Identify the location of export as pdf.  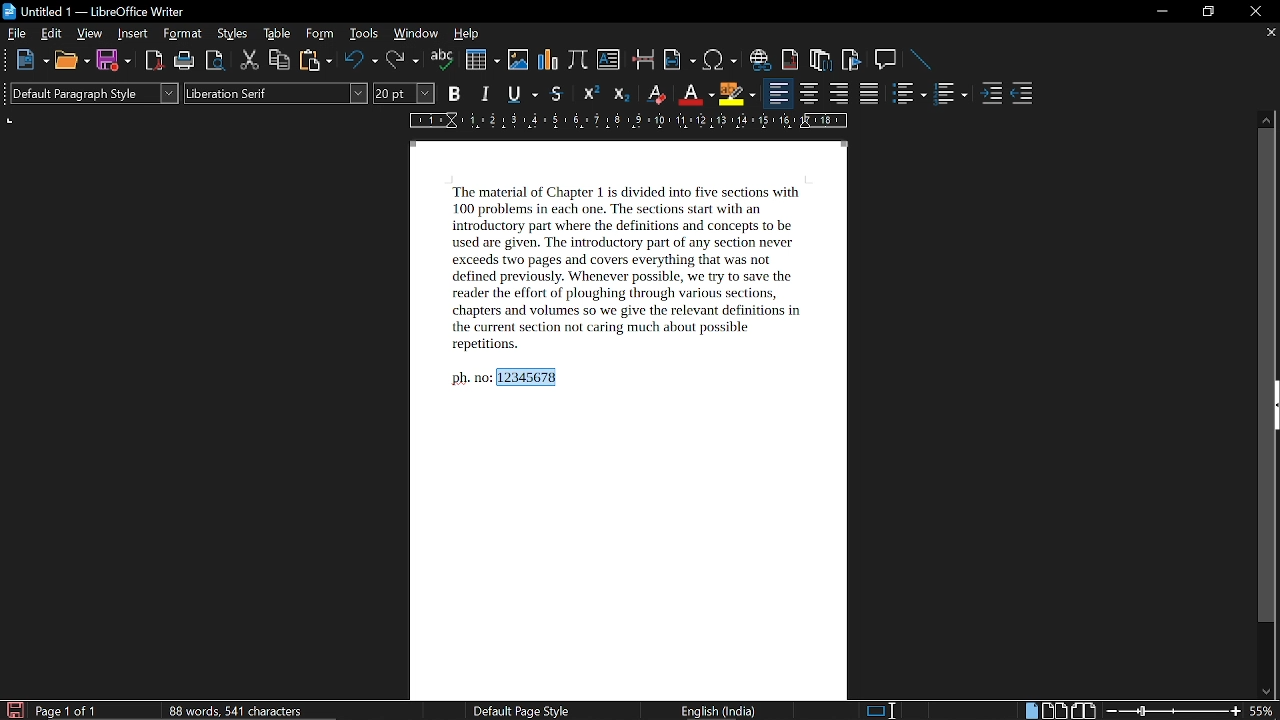
(151, 61).